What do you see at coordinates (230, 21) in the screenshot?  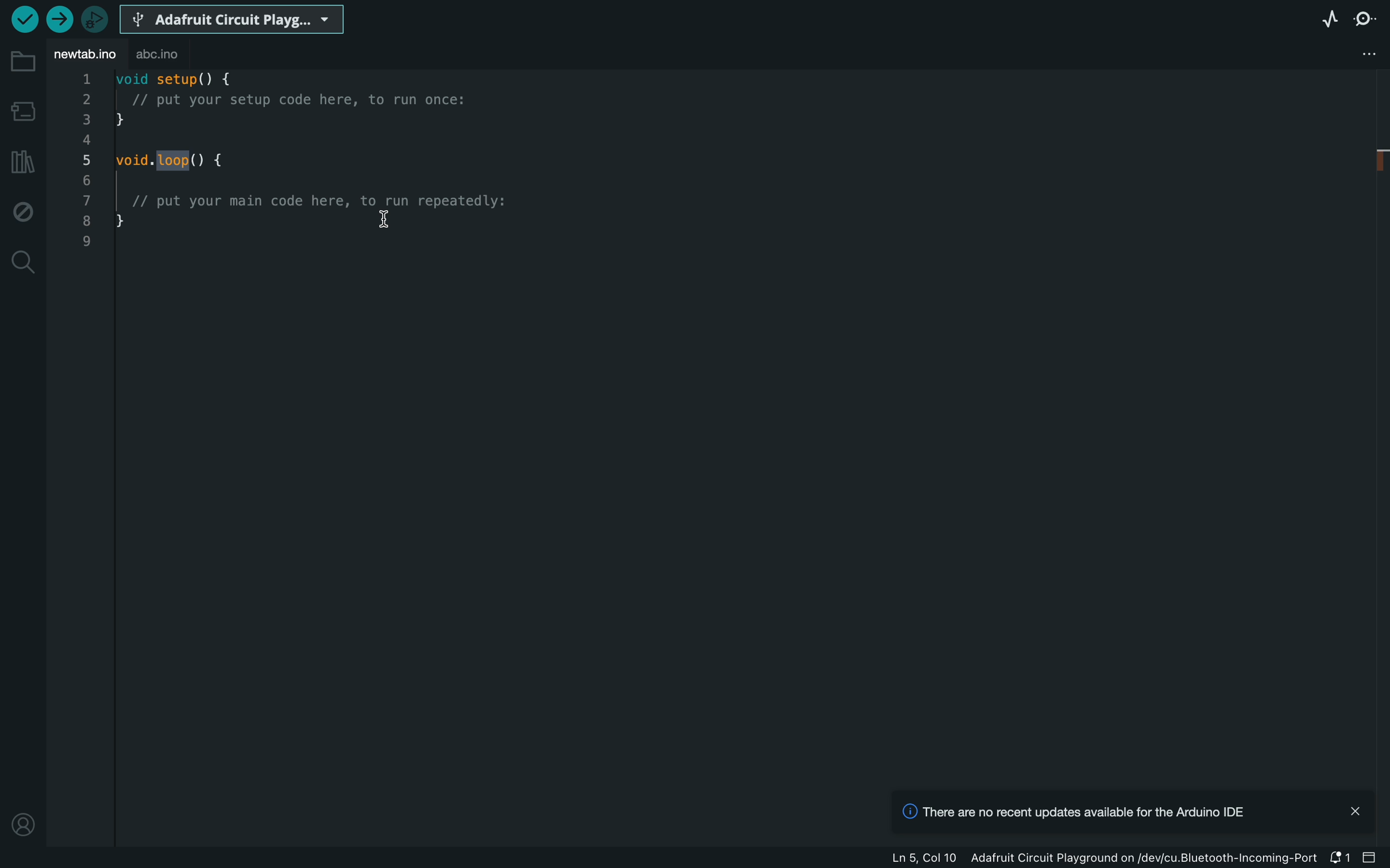 I see `Arduino Circuit Playg...` at bounding box center [230, 21].